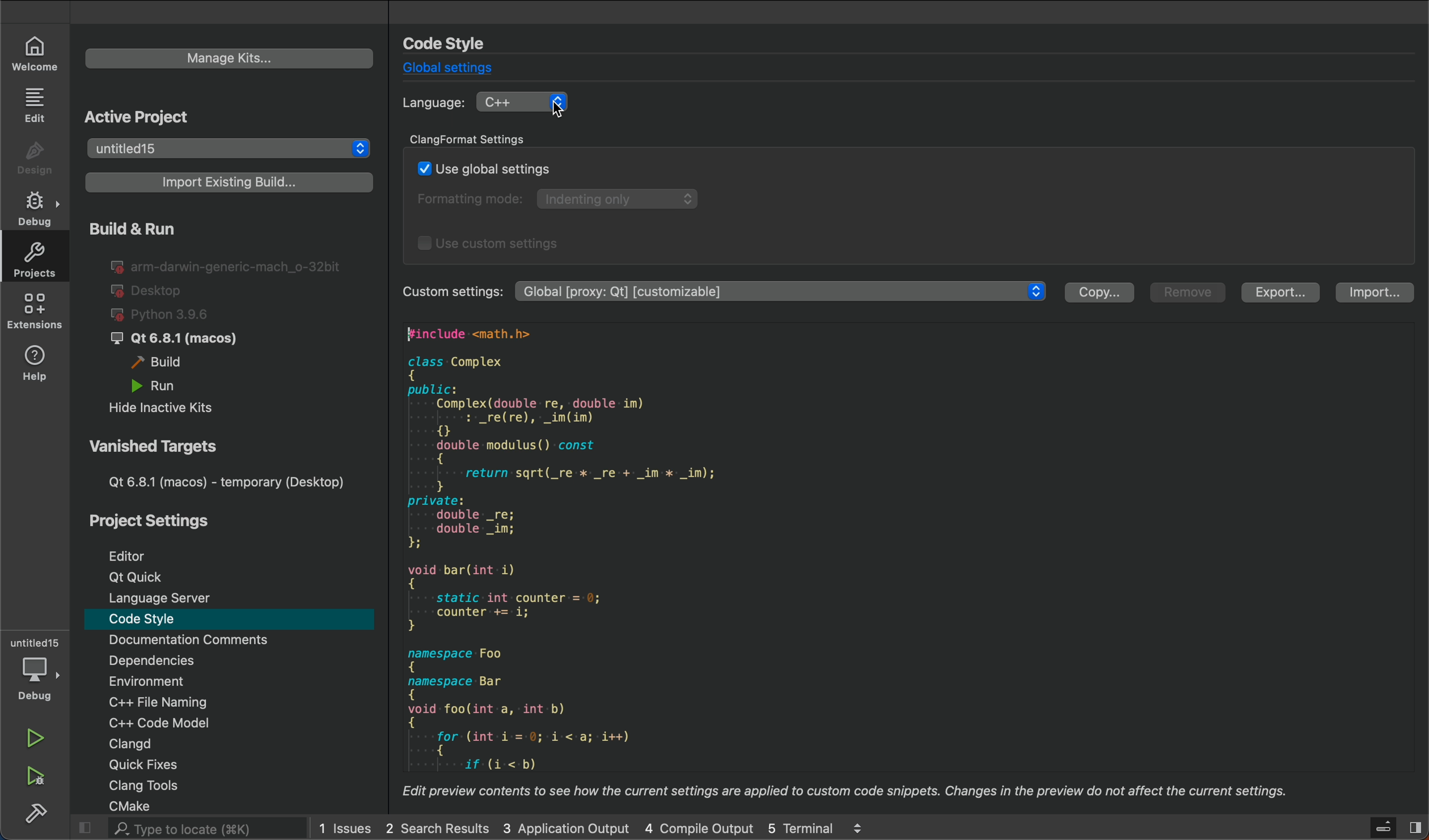 The image size is (1429, 840). I want to click on clanged, so click(175, 744).